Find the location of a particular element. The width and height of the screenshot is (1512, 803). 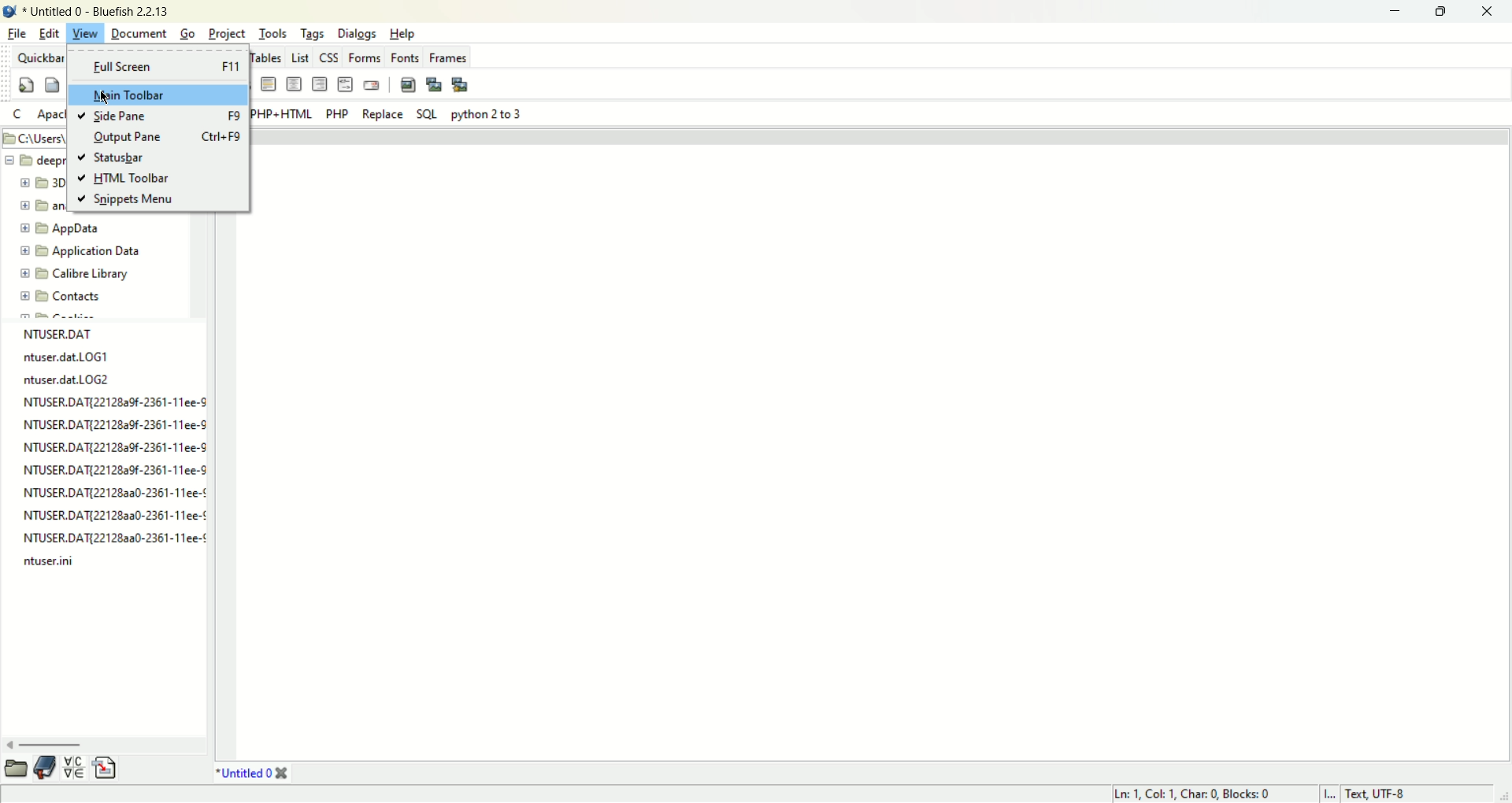

HTML comment is located at coordinates (345, 83).